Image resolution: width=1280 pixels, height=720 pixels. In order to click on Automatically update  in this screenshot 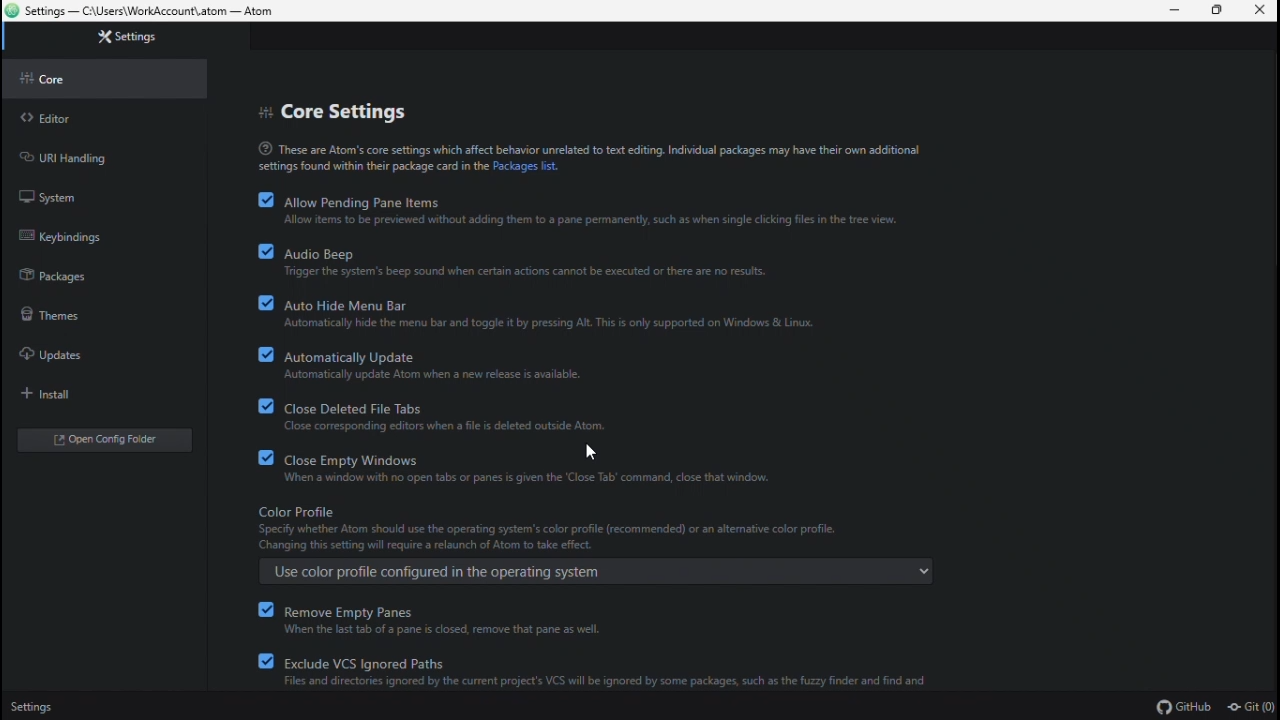, I will do `click(444, 367)`.